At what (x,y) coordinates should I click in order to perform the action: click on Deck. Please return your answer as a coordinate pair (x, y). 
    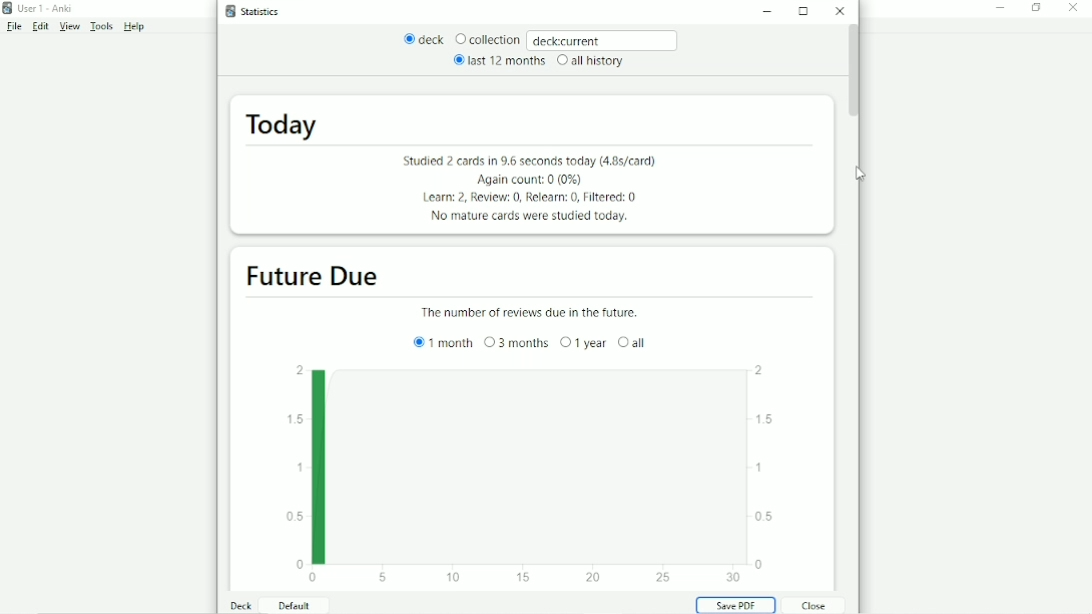
    Looking at the image, I should click on (242, 605).